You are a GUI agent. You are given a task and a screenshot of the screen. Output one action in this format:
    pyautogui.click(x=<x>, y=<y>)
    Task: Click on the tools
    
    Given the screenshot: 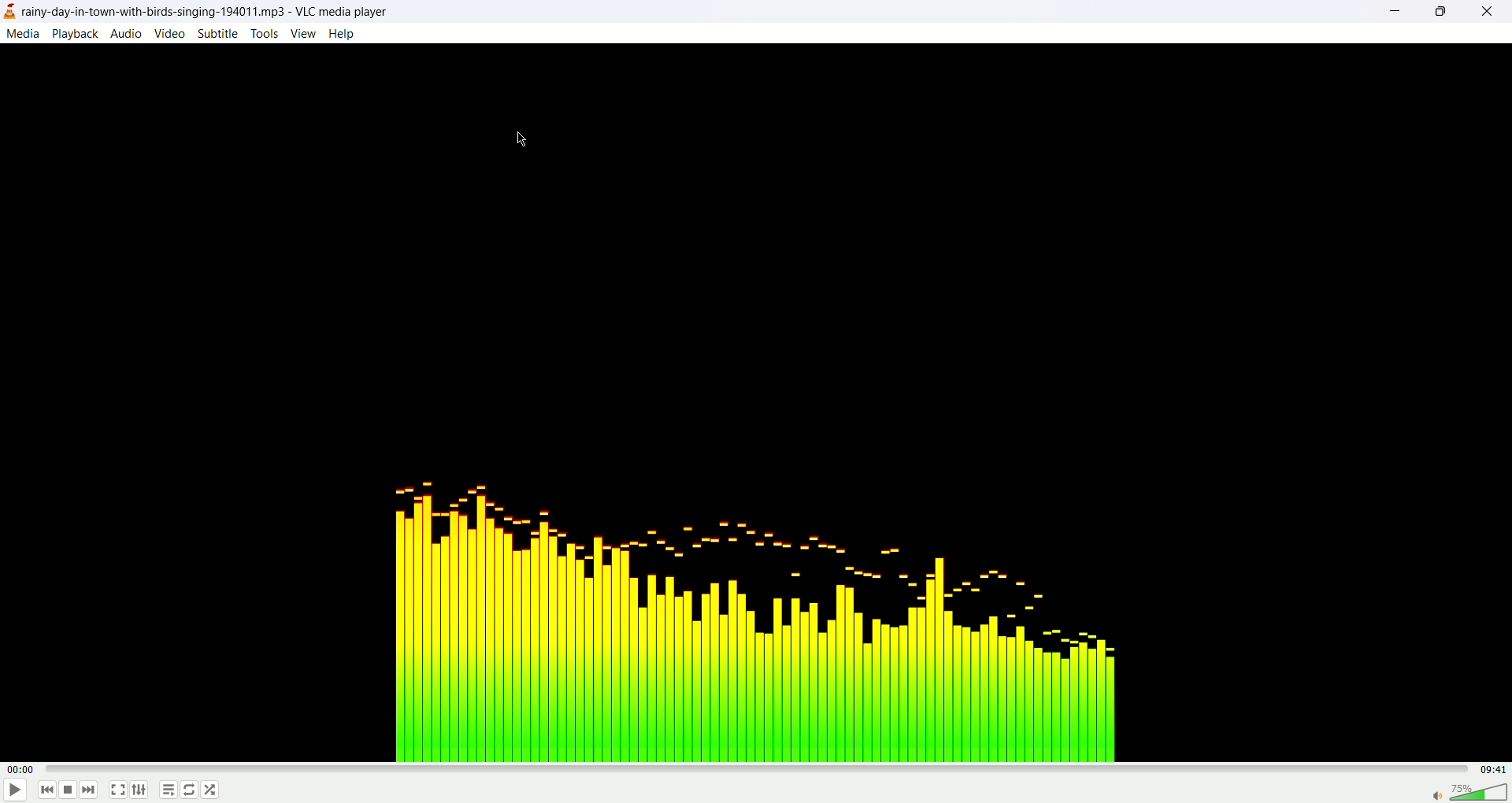 What is the action you would take?
    pyautogui.click(x=264, y=32)
    